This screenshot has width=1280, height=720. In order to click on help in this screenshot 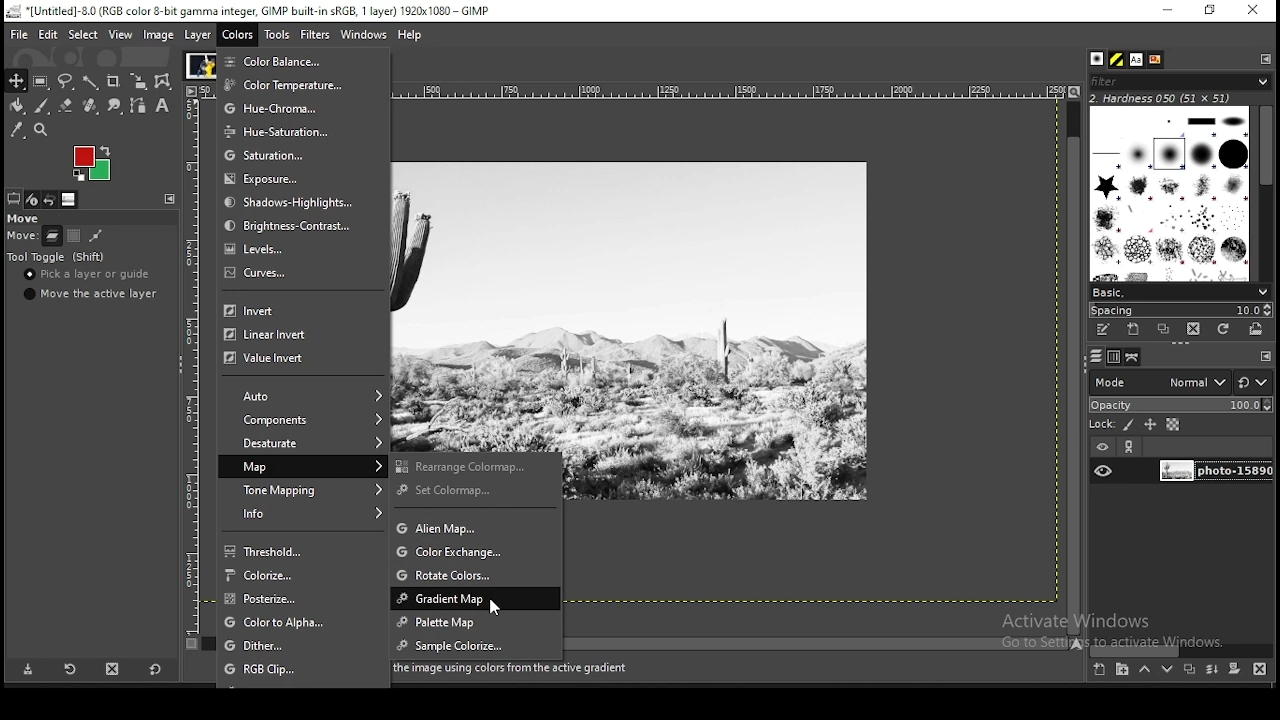, I will do `click(412, 36)`.